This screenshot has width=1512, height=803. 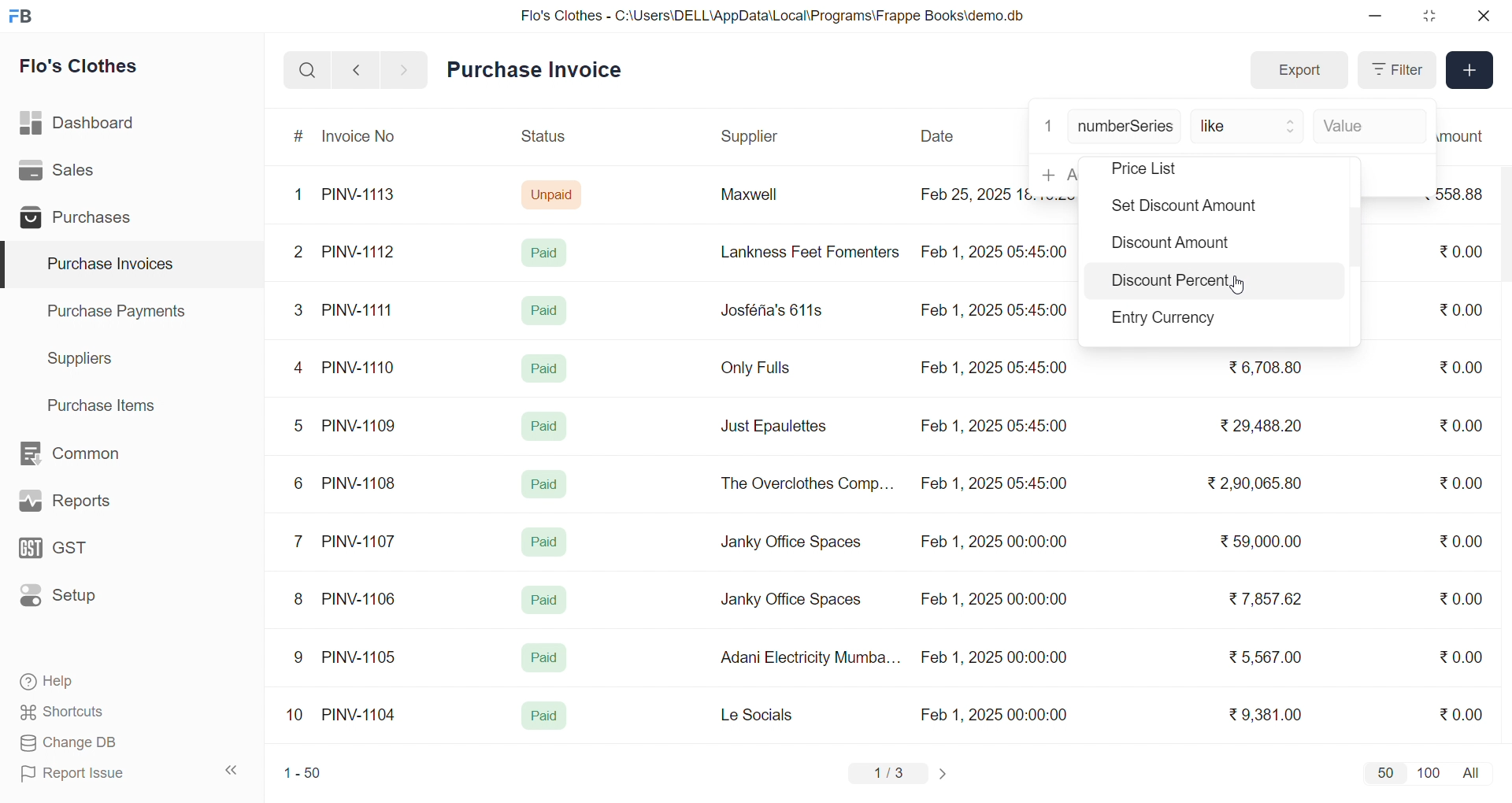 I want to click on The Overclothes Comp..., so click(x=805, y=483).